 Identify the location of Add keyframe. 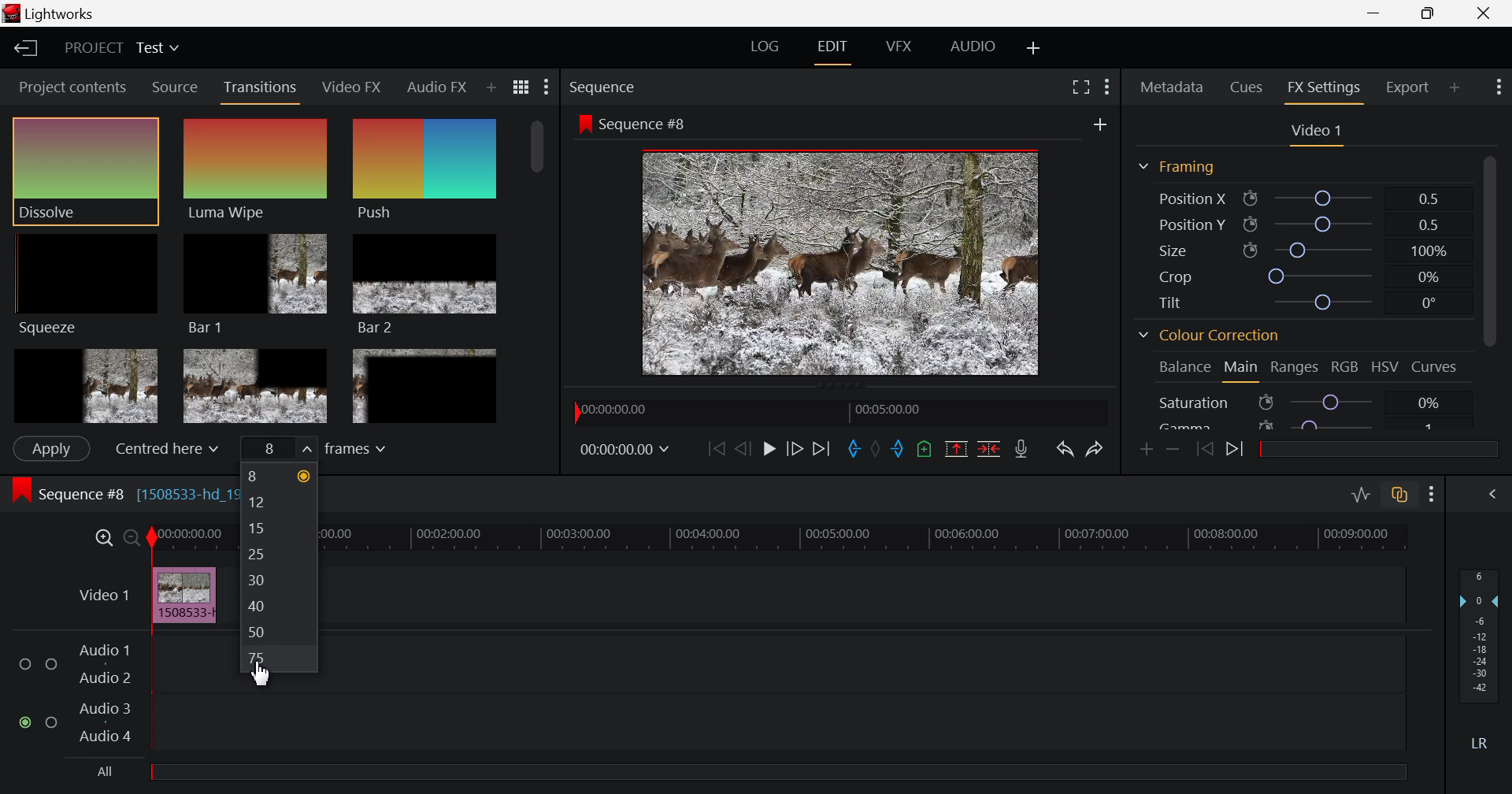
(1147, 451).